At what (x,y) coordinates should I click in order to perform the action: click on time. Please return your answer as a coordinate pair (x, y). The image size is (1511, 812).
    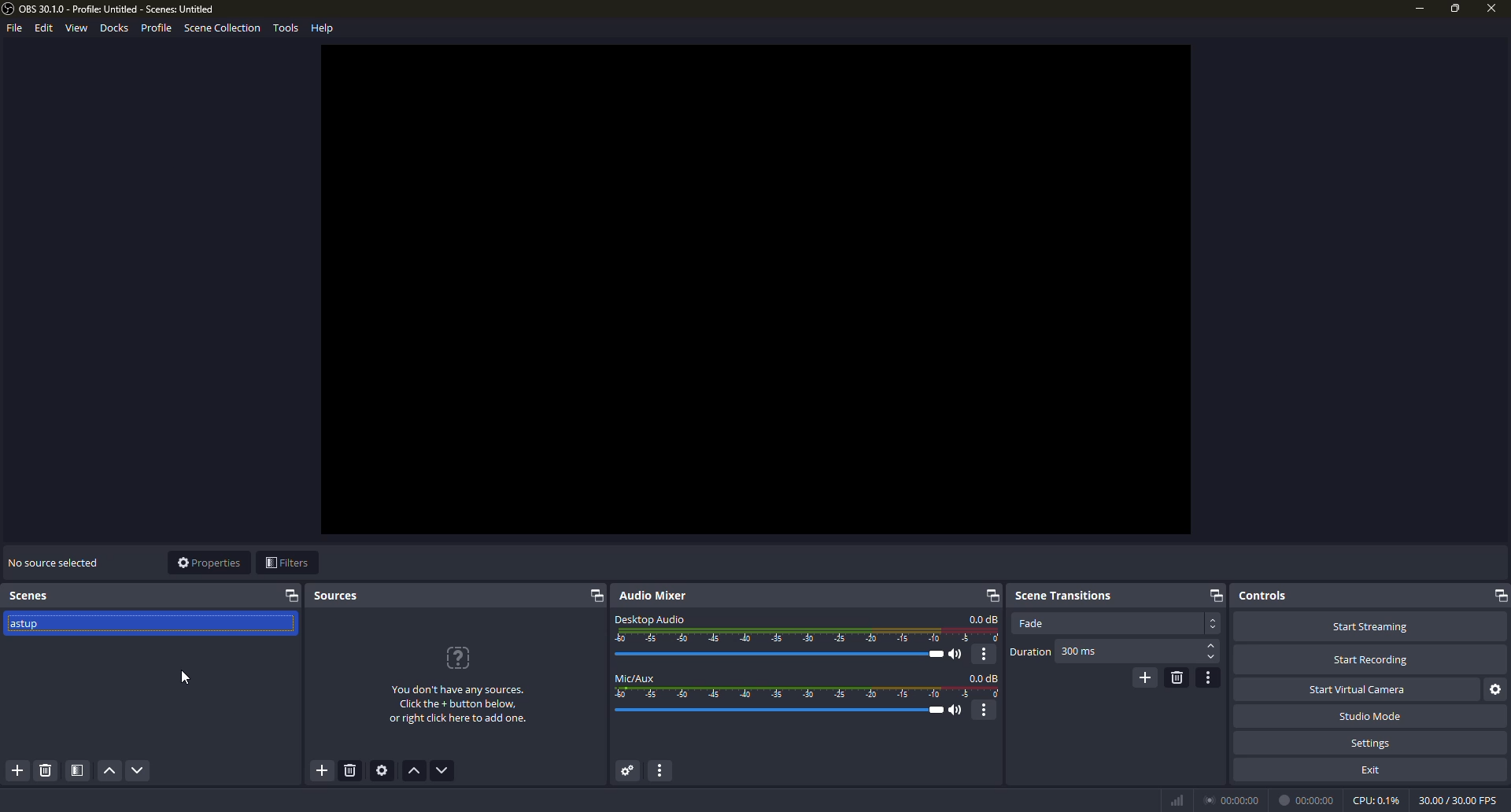
    Looking at the image, I should click on (1234, 799).